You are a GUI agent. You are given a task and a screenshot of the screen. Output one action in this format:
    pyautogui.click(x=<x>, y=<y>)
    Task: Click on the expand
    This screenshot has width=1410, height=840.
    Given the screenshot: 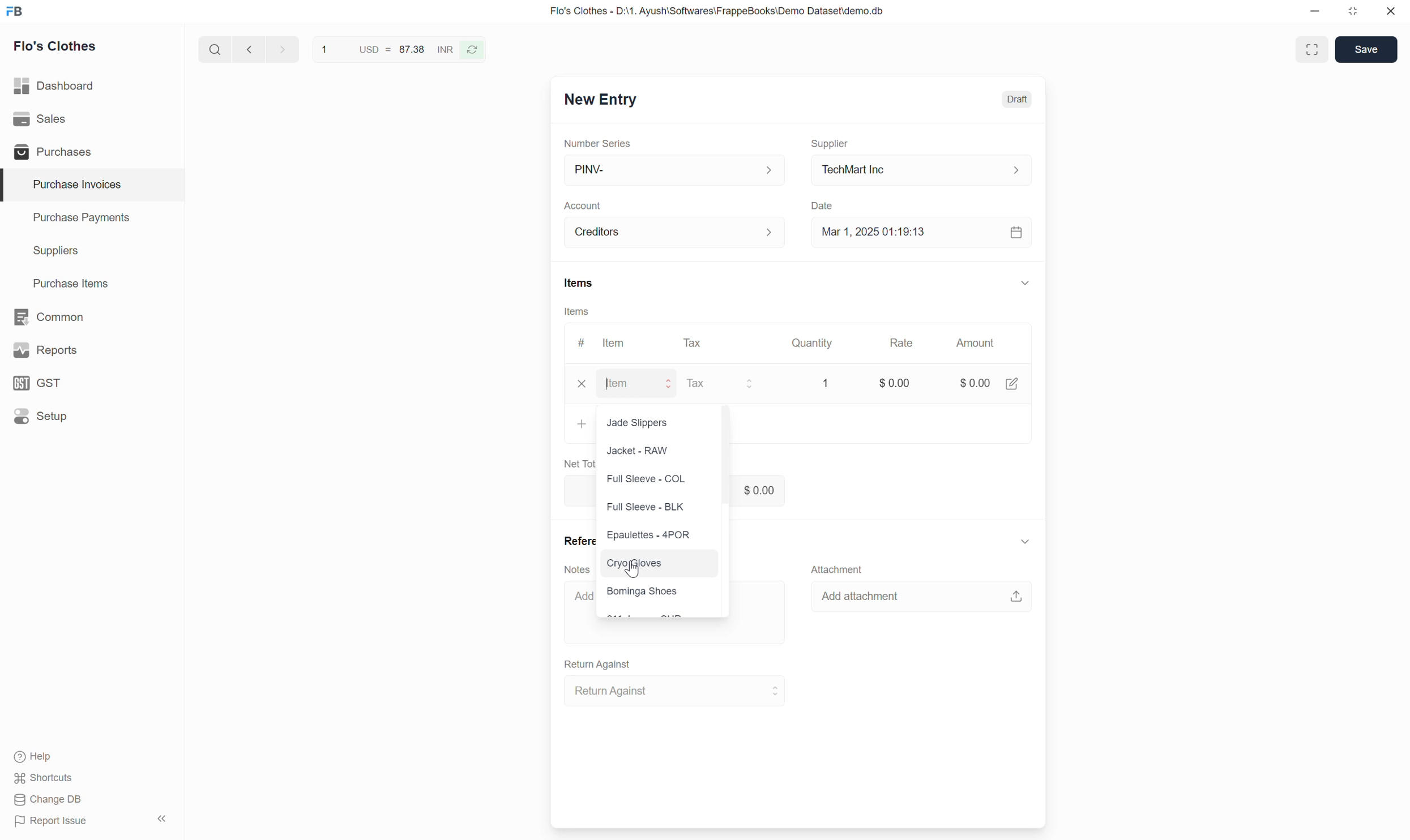 What is the action you would take?
    pyautogui.click(x=1023, y=540)
    